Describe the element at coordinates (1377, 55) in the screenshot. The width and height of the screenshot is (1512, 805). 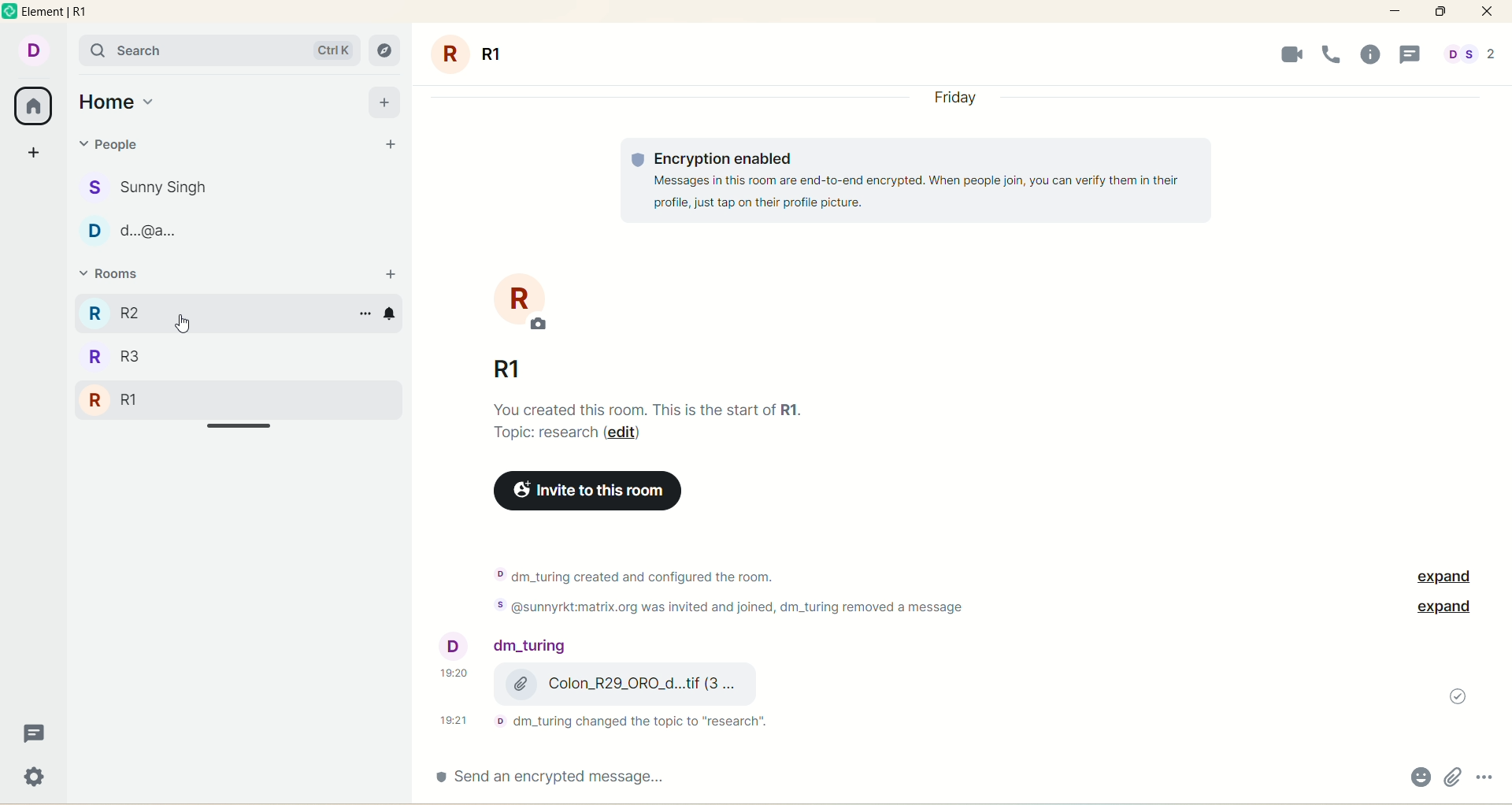
I see `room info` at that location.